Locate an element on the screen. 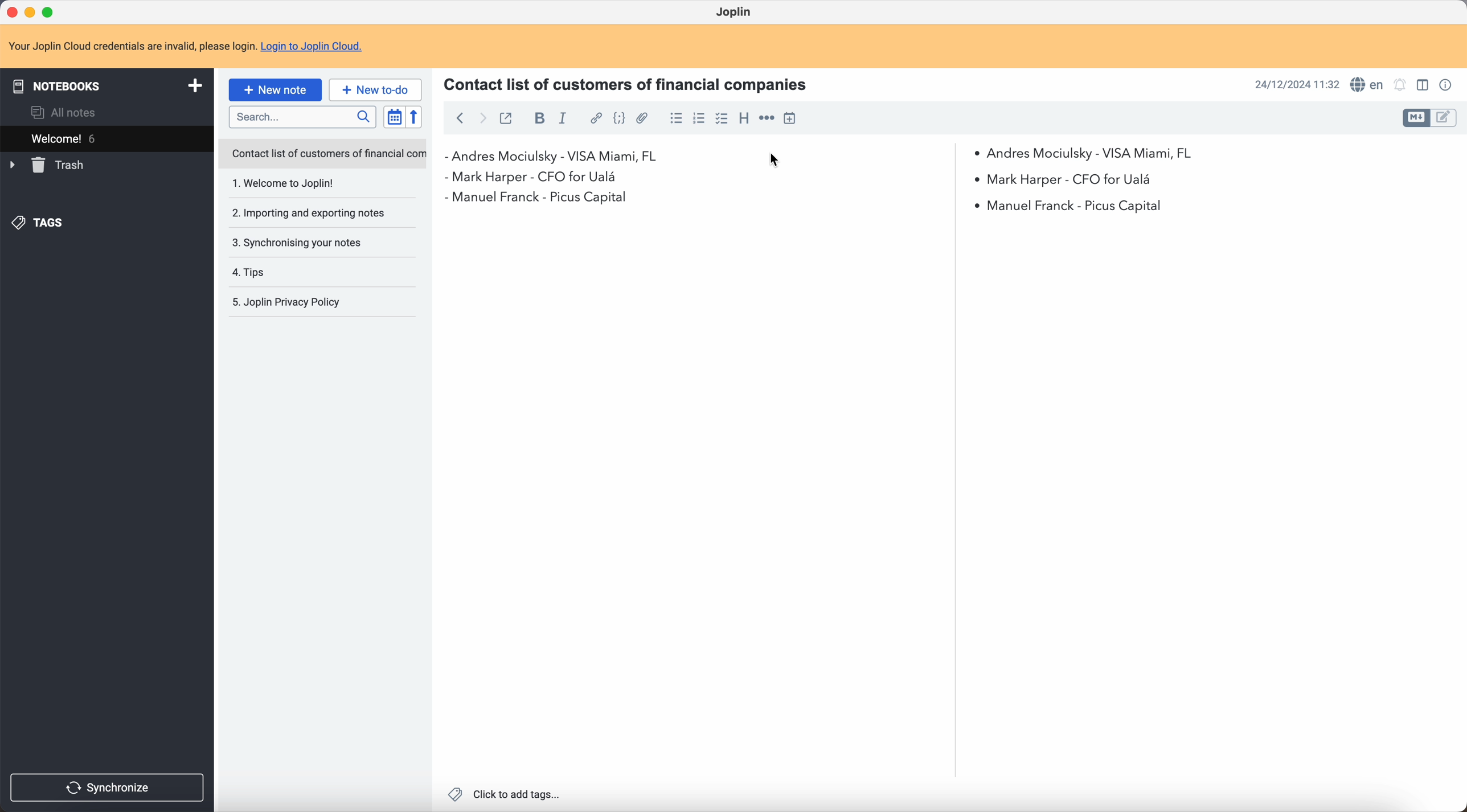 Image resolution: width=1467 pixels, height=812 pixels. close Joplin is located at coordinates (11, 11).